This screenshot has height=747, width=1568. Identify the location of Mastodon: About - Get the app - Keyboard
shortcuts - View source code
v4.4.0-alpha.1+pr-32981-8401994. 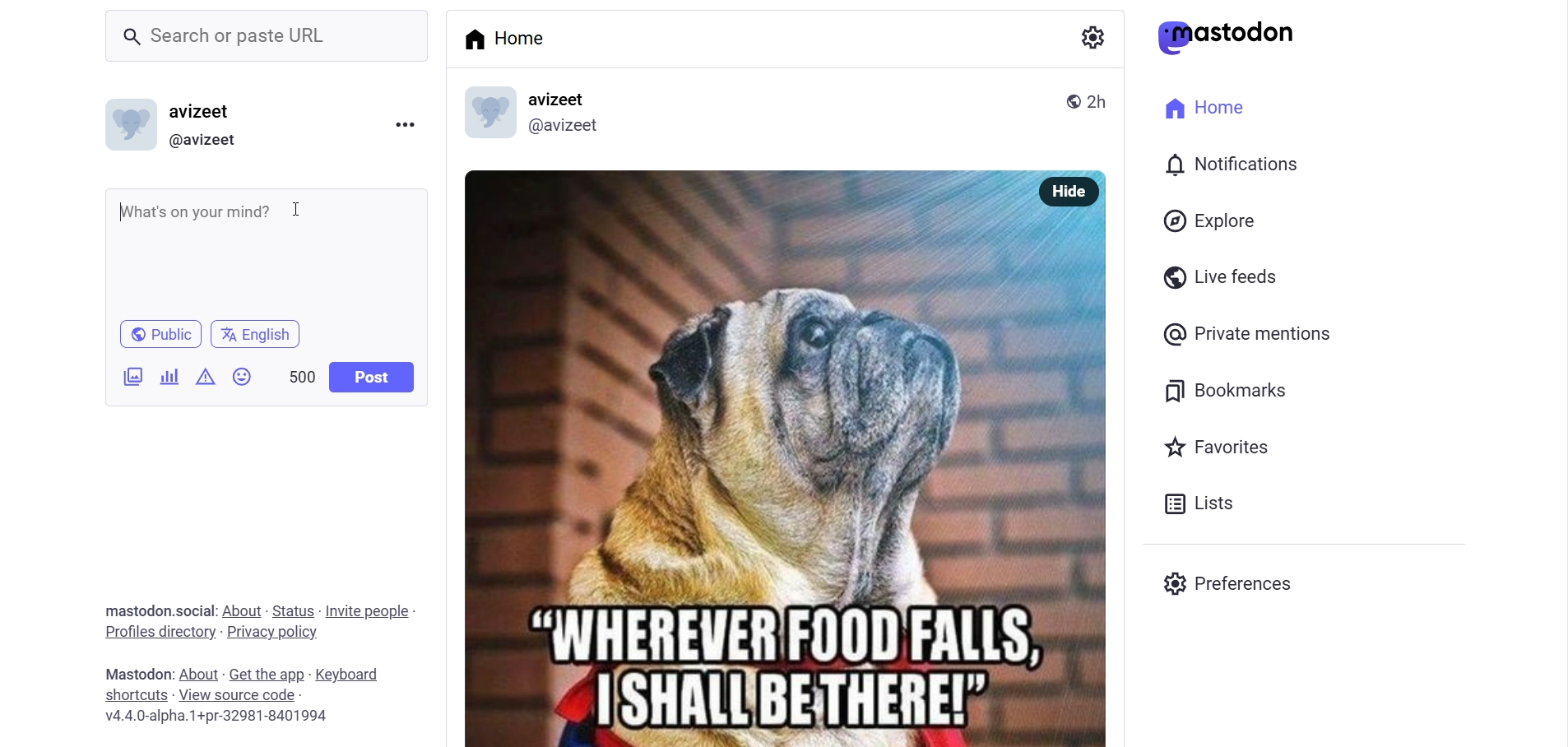
(244, 694).